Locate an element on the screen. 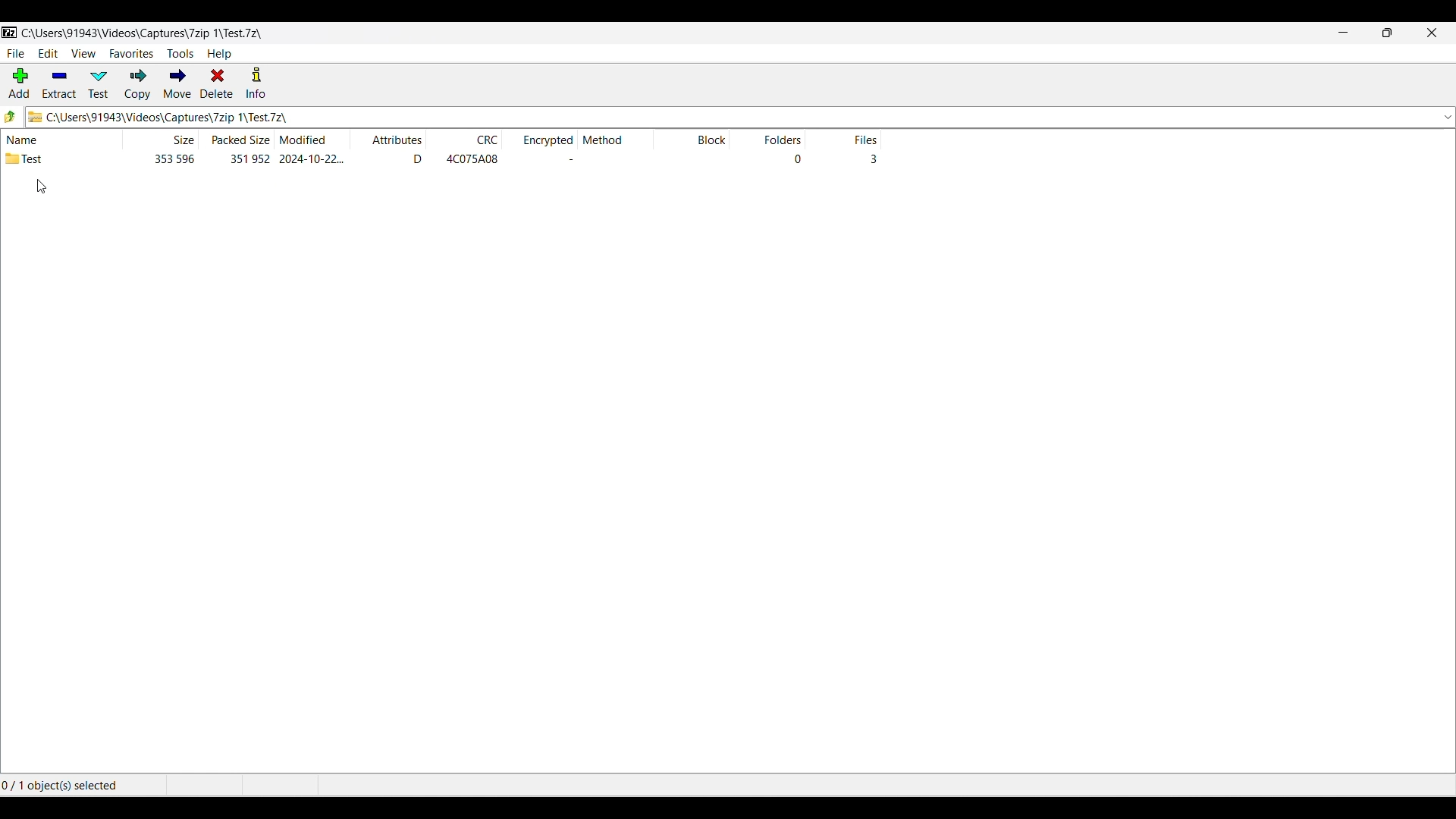  Current file logo is located at coordinates (36, 117).